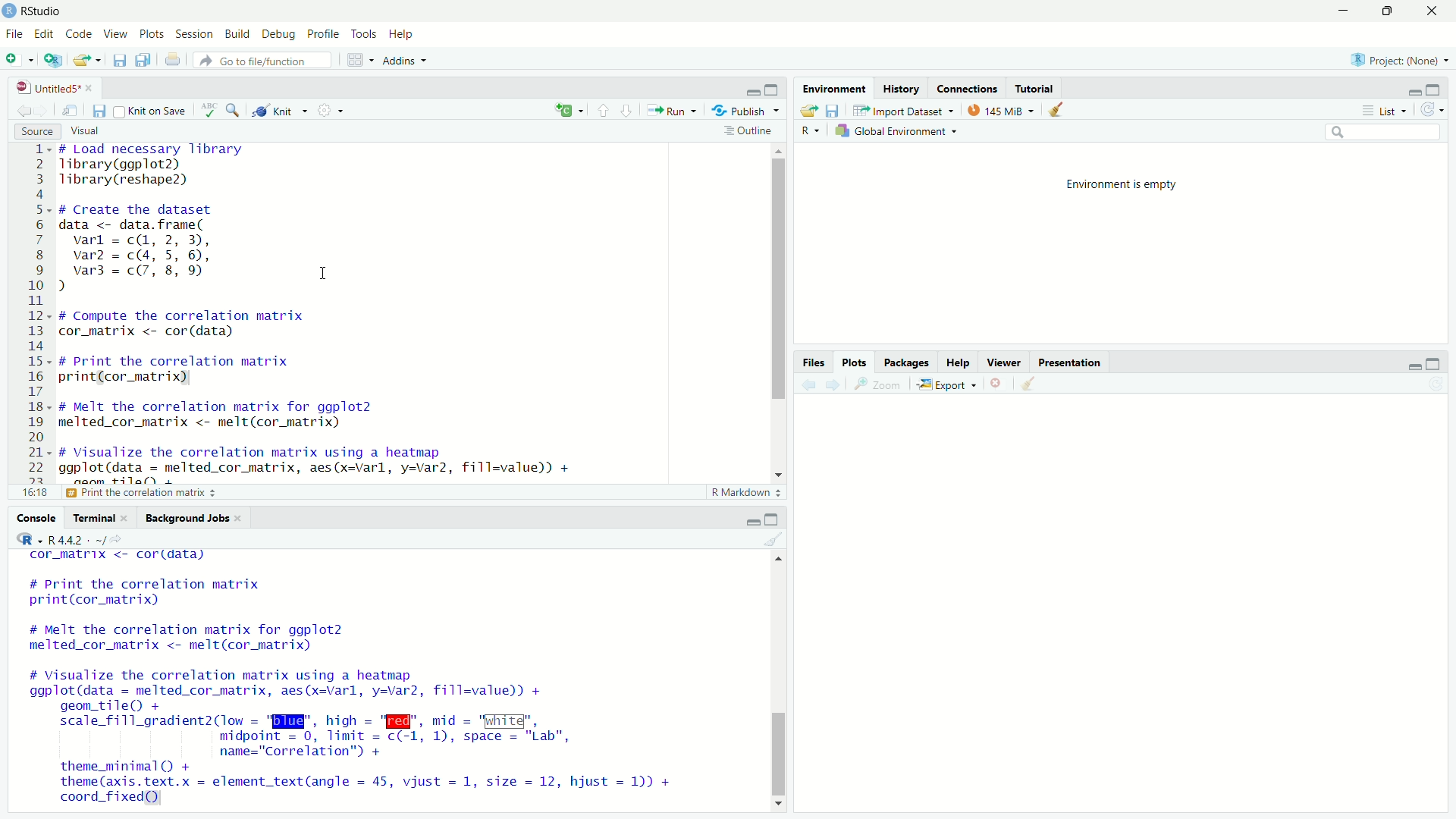  What do you see at coordinates (80, 34) in the screenshot?
I see `code` at bounding box center [80, 34].